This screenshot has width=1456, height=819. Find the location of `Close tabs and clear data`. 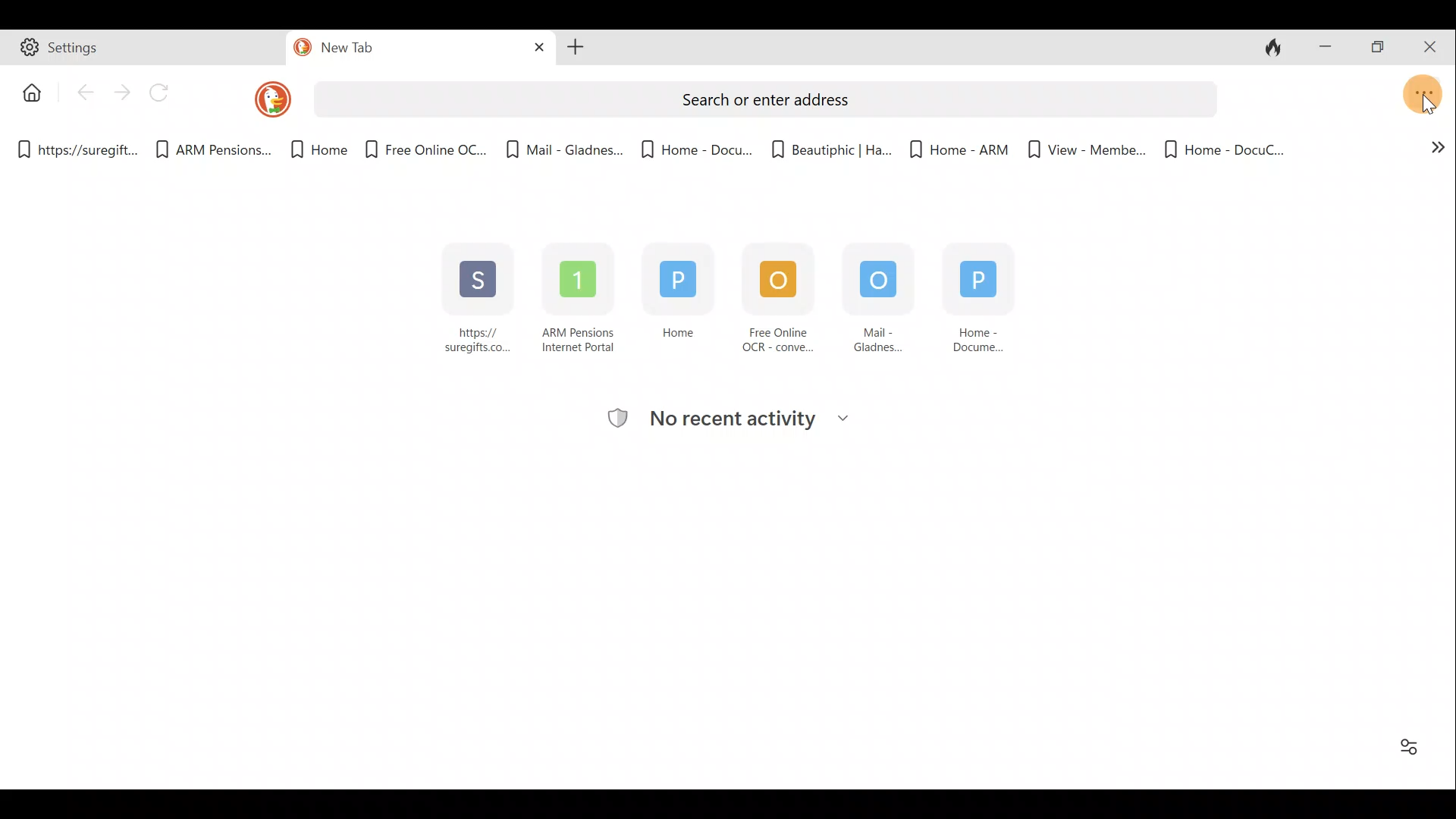

Close tabs and clear data is located at coordinates (1273, 47).